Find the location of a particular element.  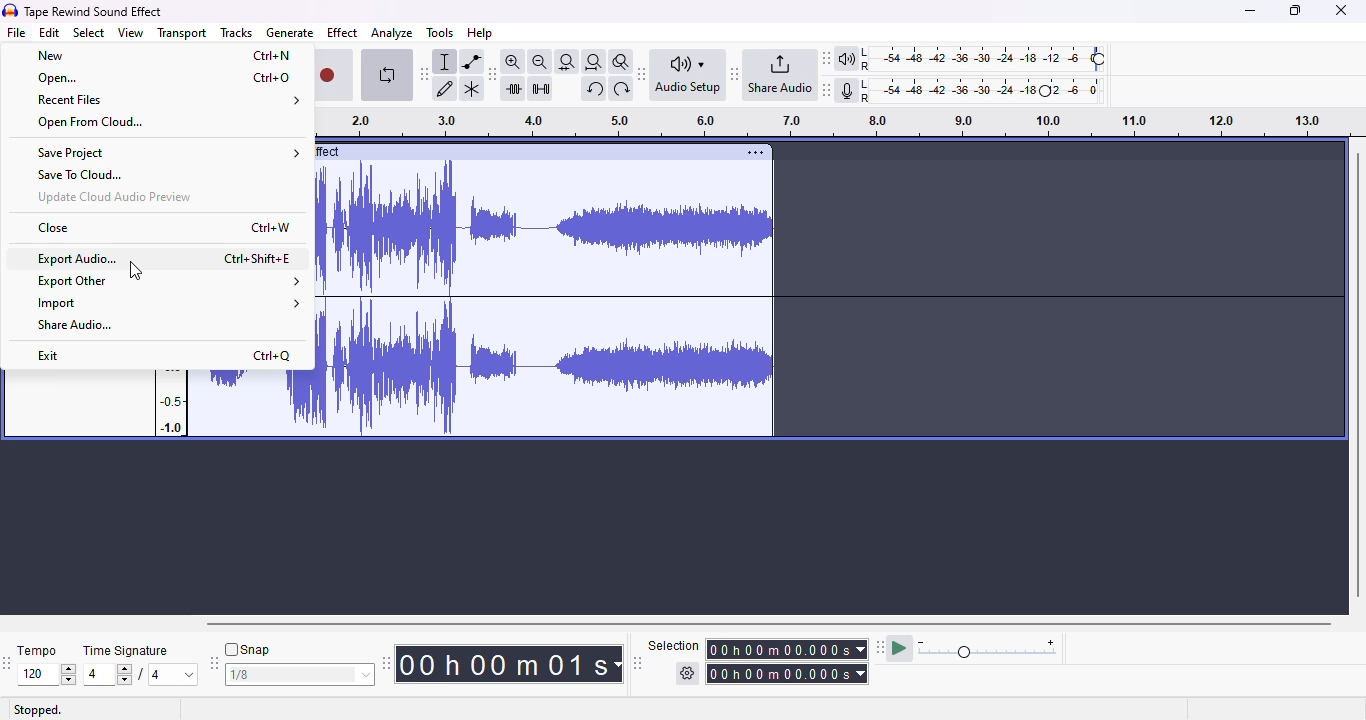

record is located at coordinates (335, 77).